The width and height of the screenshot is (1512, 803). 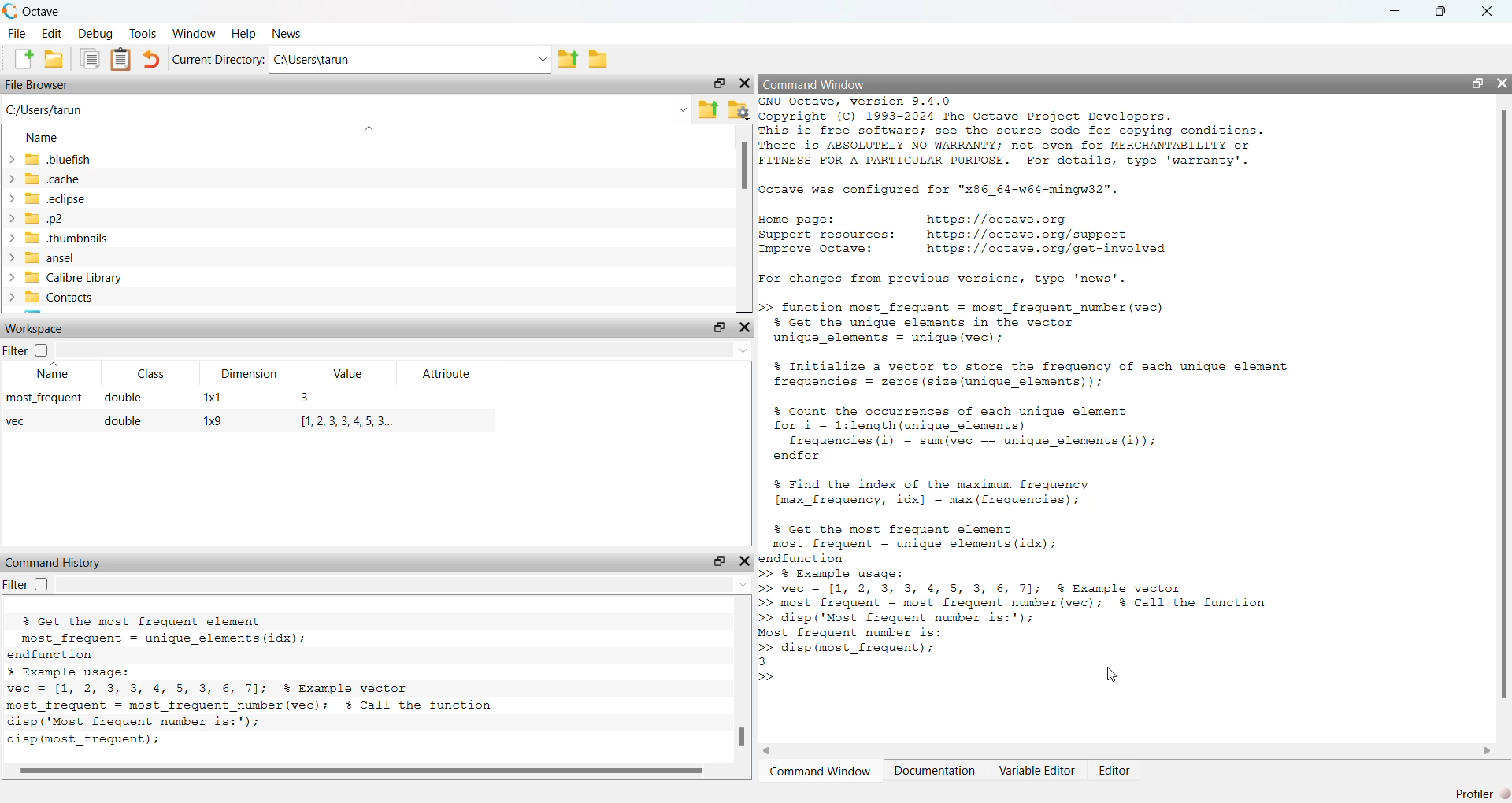 I want to click on Undock Widget, so click(x=717, y=327).